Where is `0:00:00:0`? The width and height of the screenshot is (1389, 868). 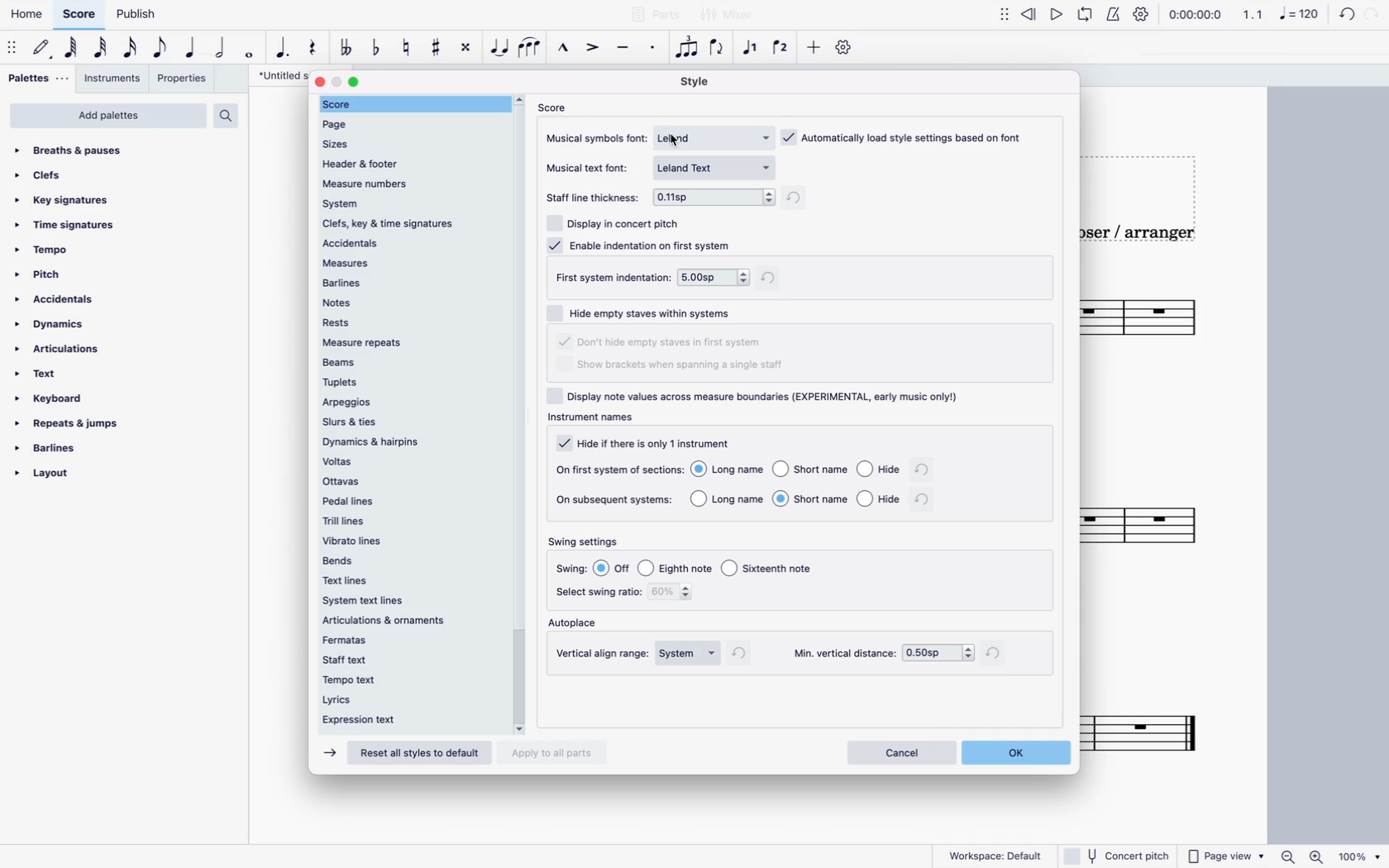 0:00:00:0 is located at coordinates (1195, 12).